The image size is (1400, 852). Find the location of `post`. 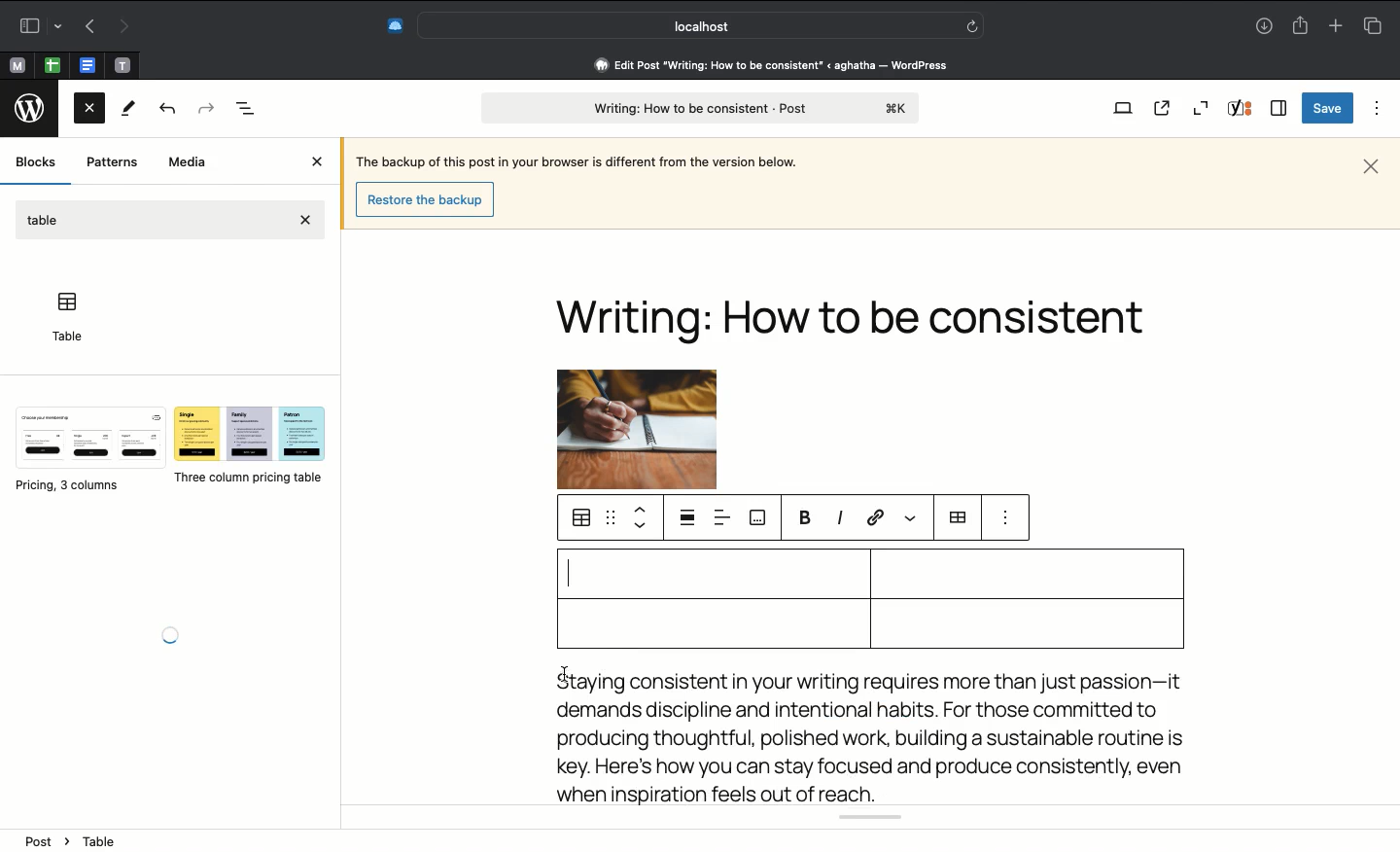

post is located at coordinates (48, 840).